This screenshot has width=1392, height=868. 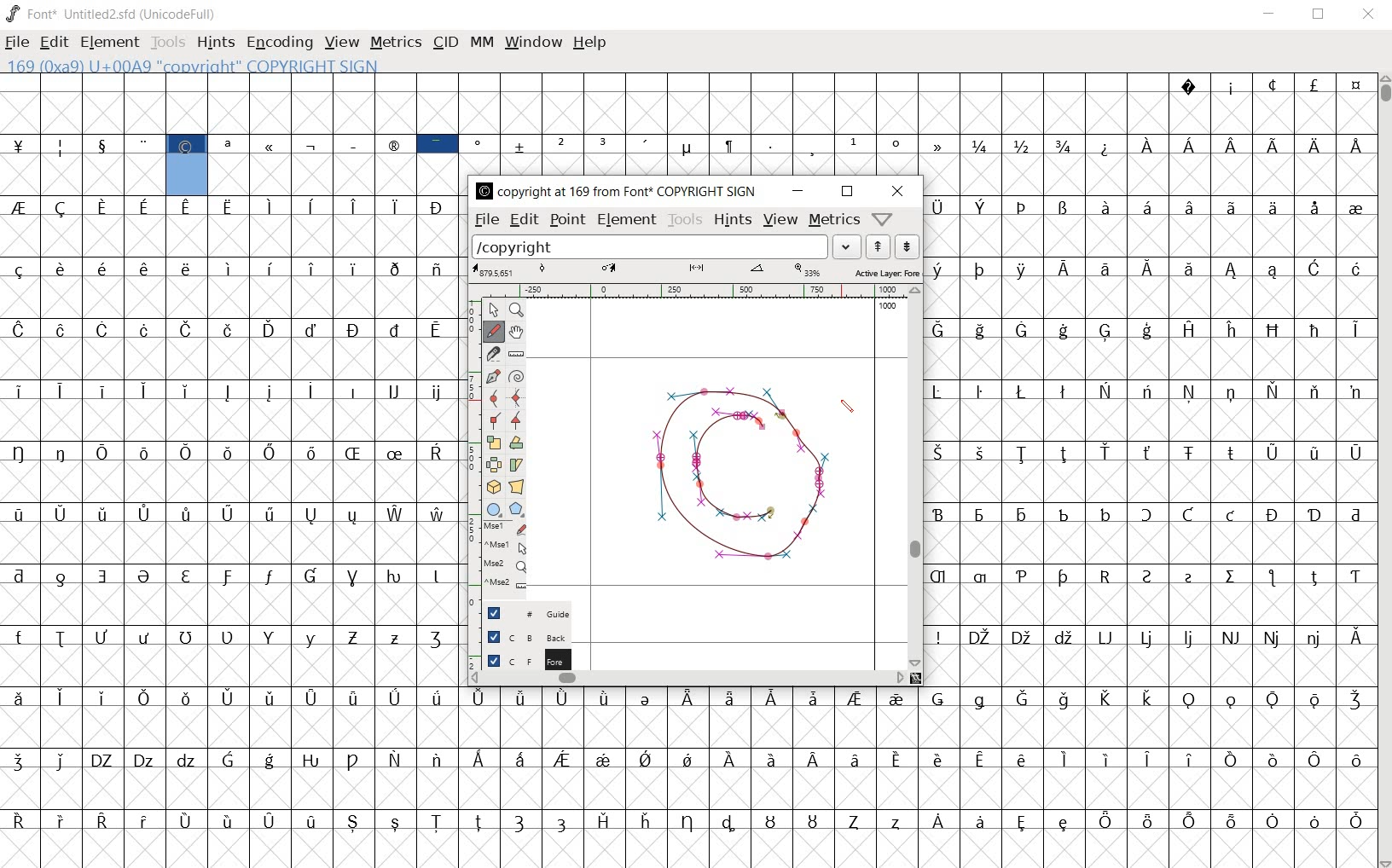 What do you see at coordinates (734, 480) in the screenshot?
I see `copyright glyph design` at bounding box center [734, 480].